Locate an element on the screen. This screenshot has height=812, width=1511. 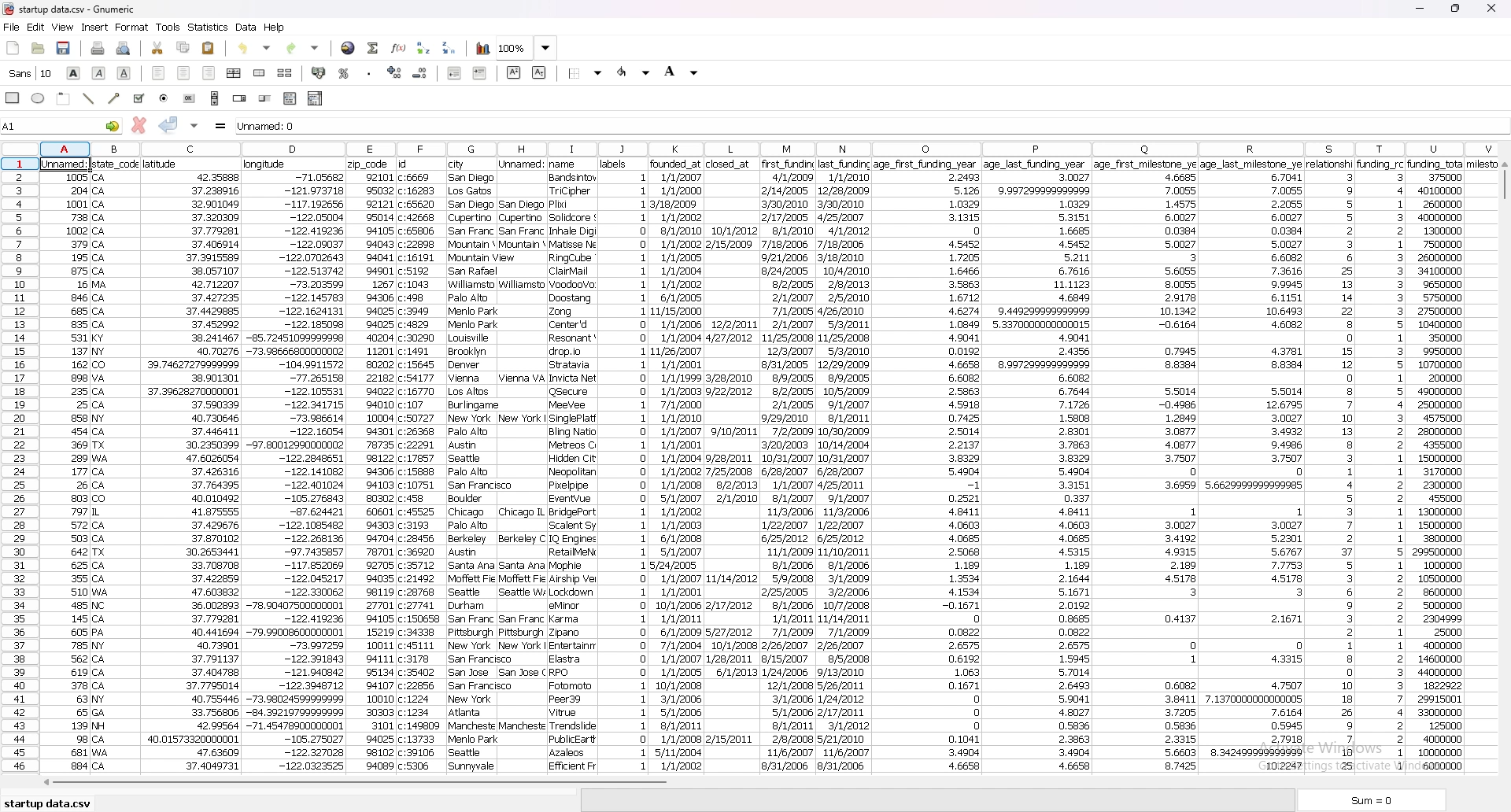
spin button is located at coordinates (241, 98).